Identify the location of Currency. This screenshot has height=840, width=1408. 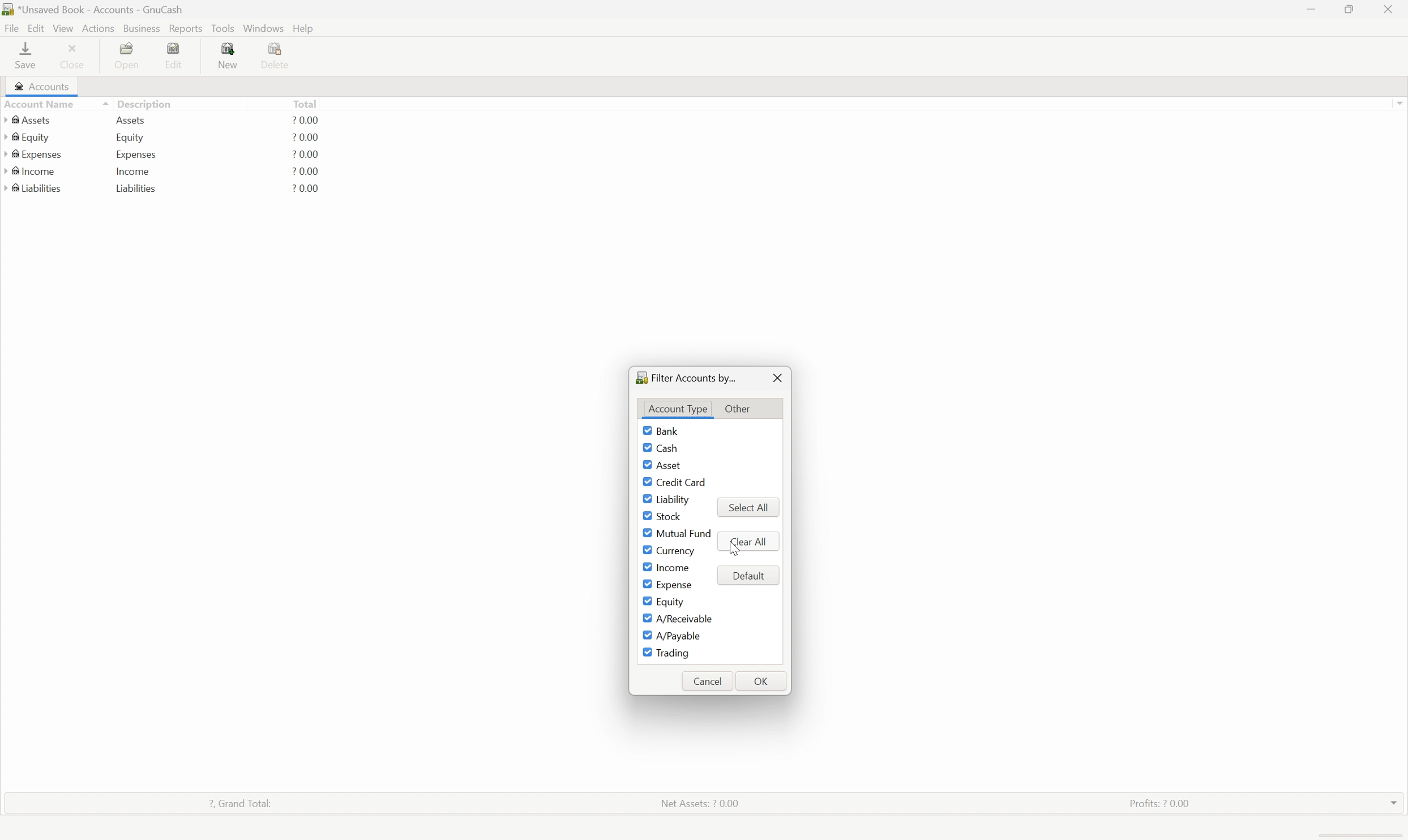
(675, 550).